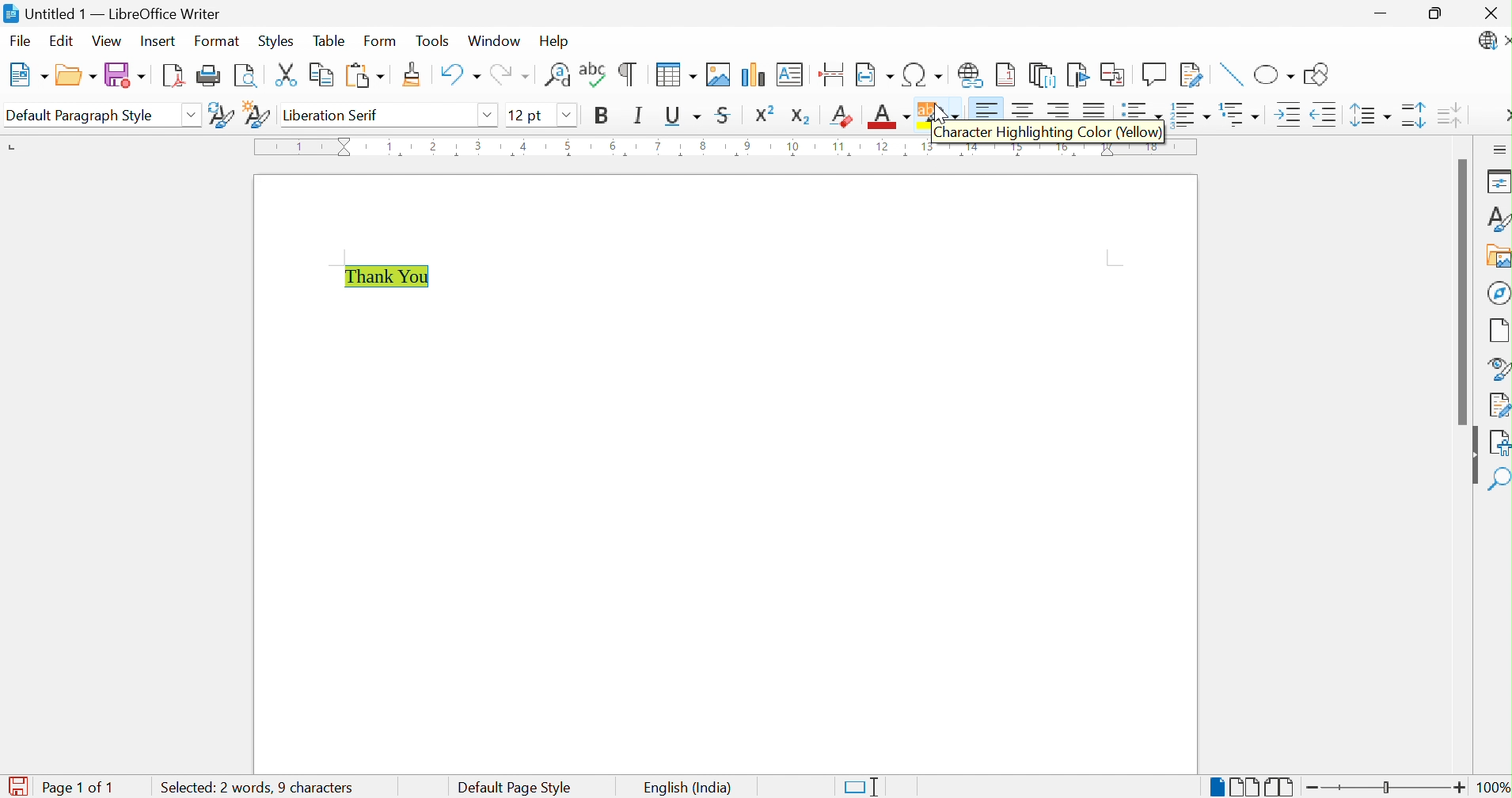 The image size is (1512, 798). Describe the element at coordinates (490, 116) in the screenshot. I see `Drop Down` at that location.